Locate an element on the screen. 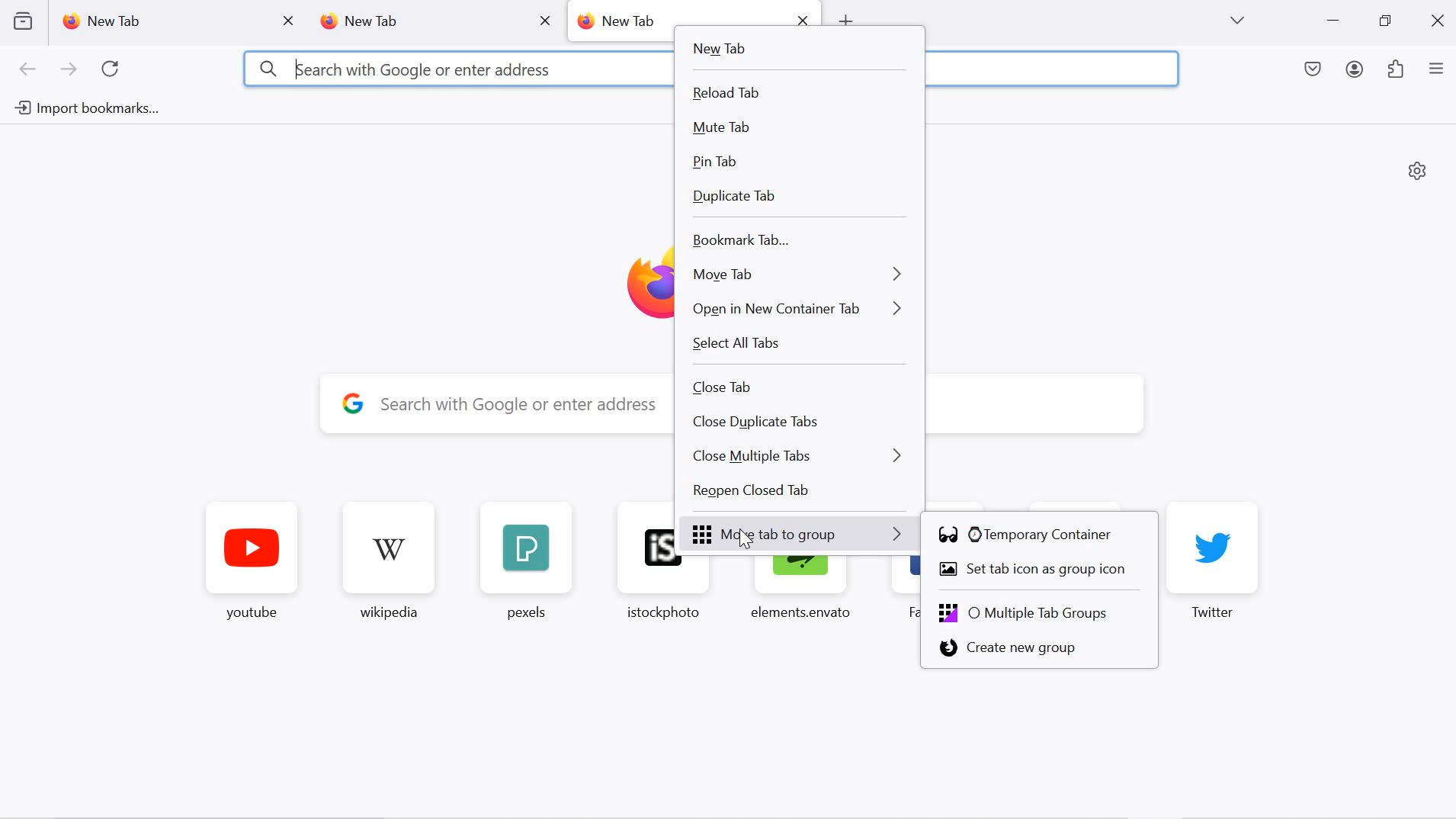 This screenshot has height=819, width=1456. bookmark tab is located at coordinates (794, 242).